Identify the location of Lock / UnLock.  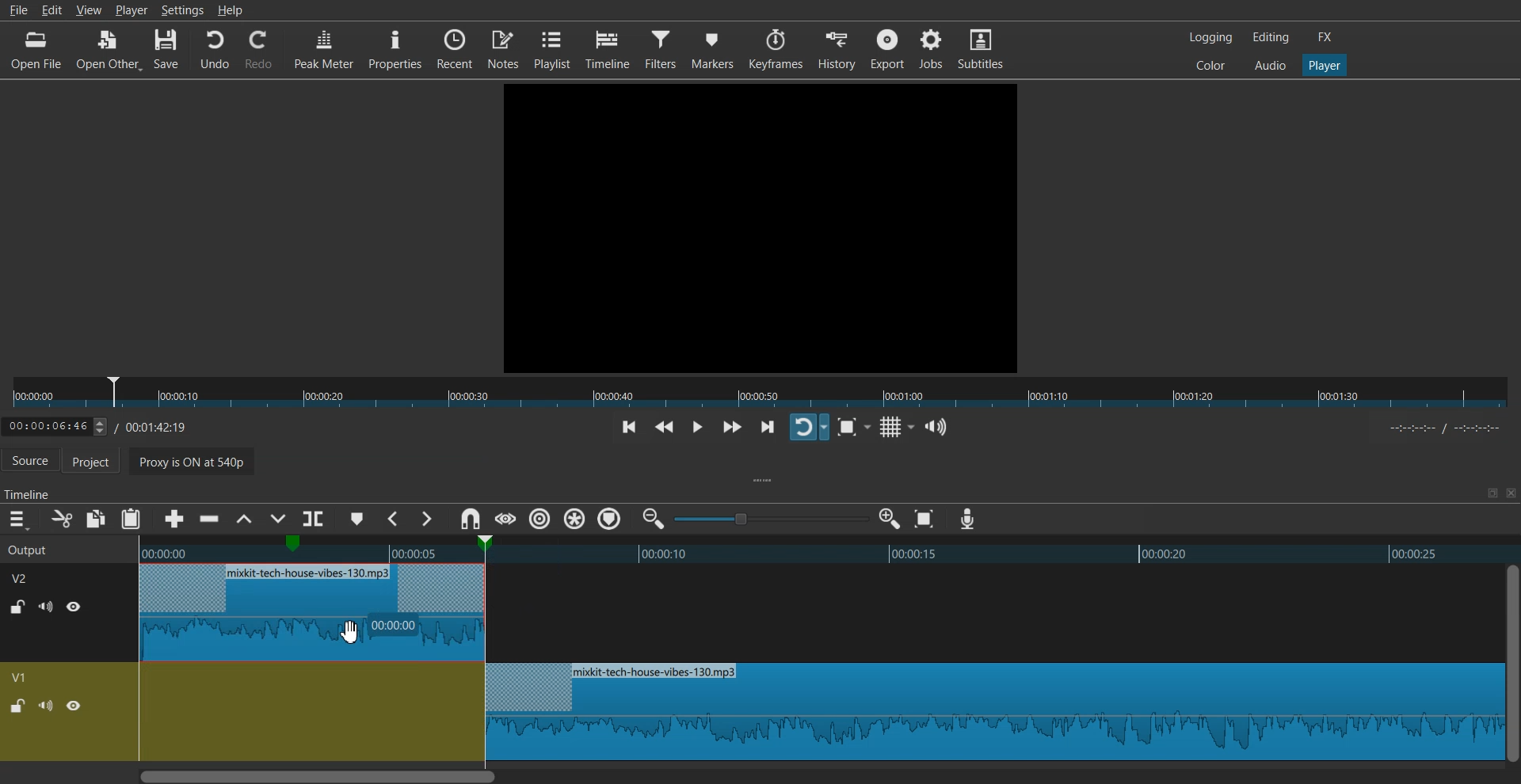
(17, 706).